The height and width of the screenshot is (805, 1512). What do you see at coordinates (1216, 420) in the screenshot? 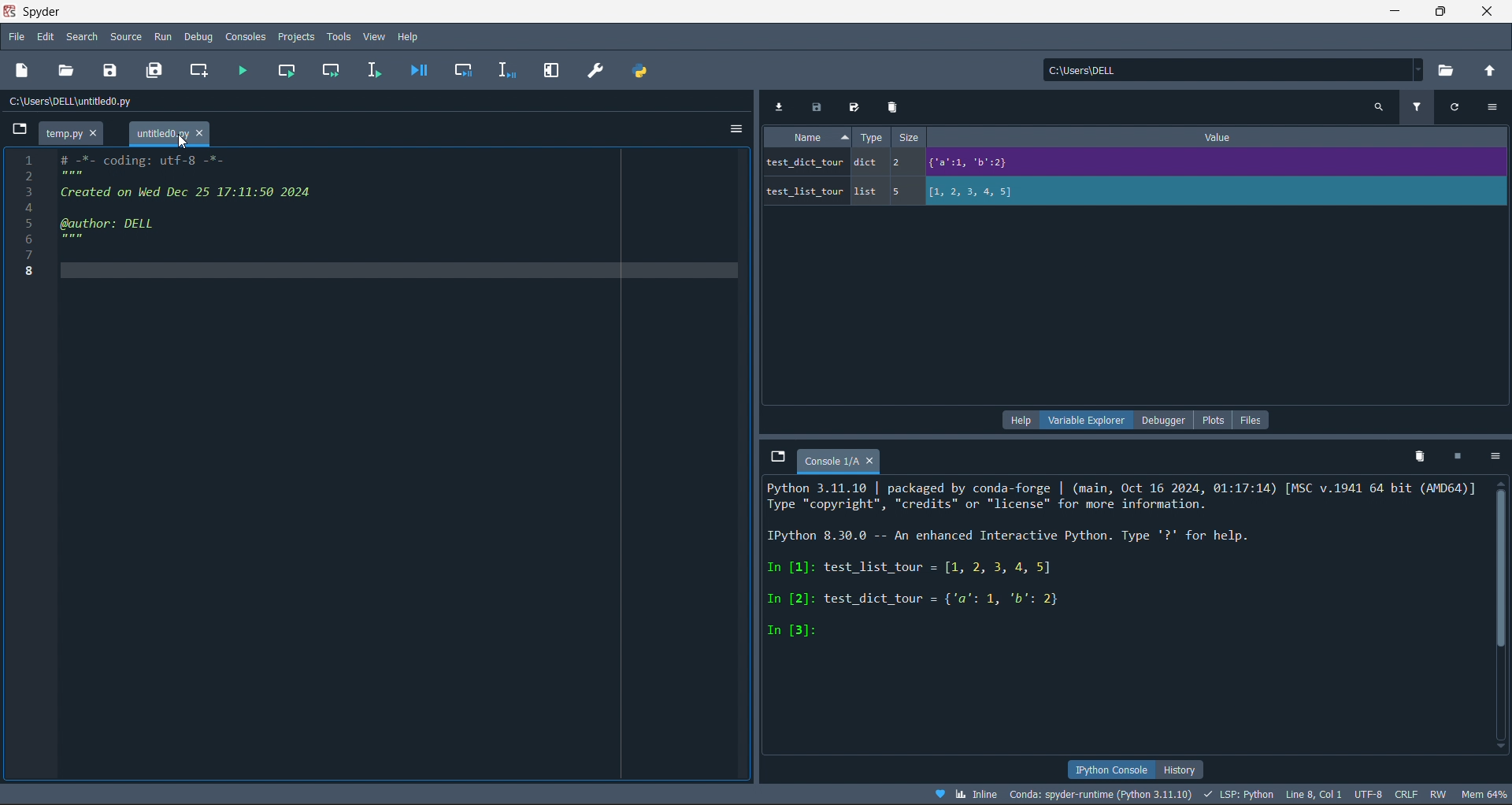
I see `plots pane` at bounding box center [1216, 420].